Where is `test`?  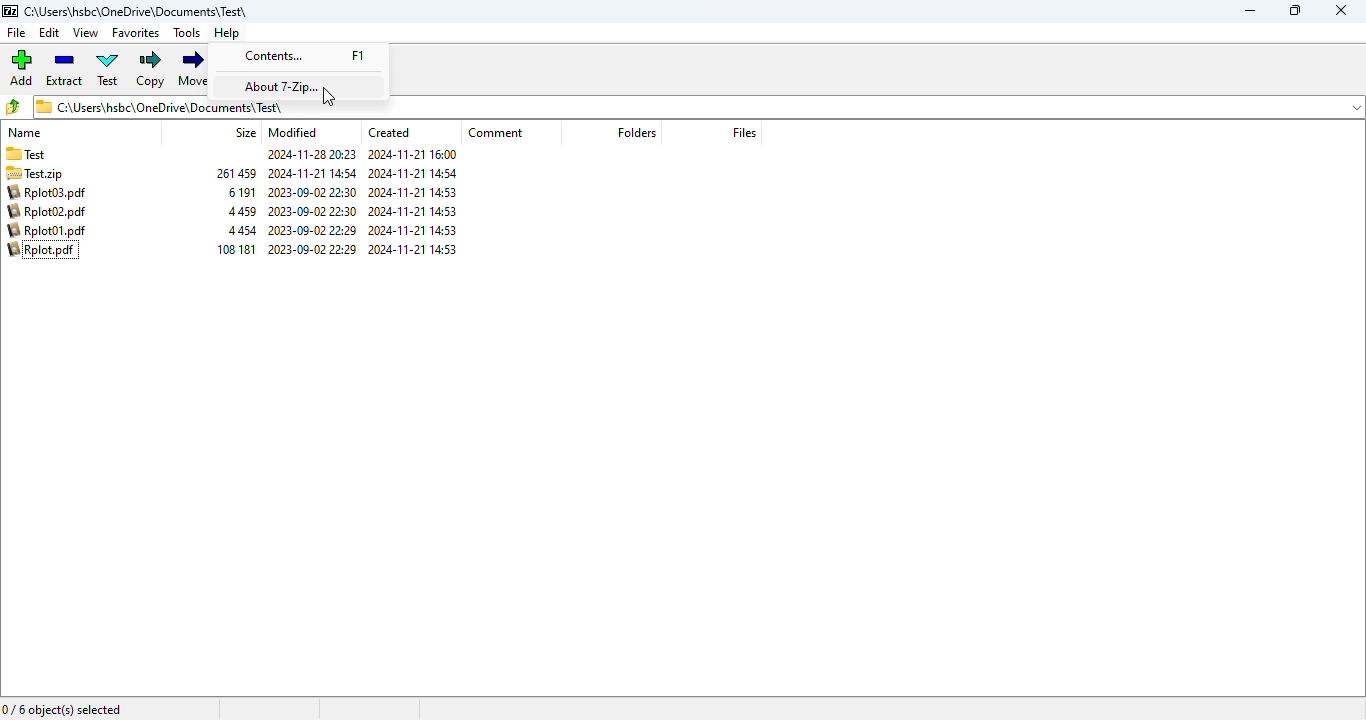
test is located at coordinates (108, 68).